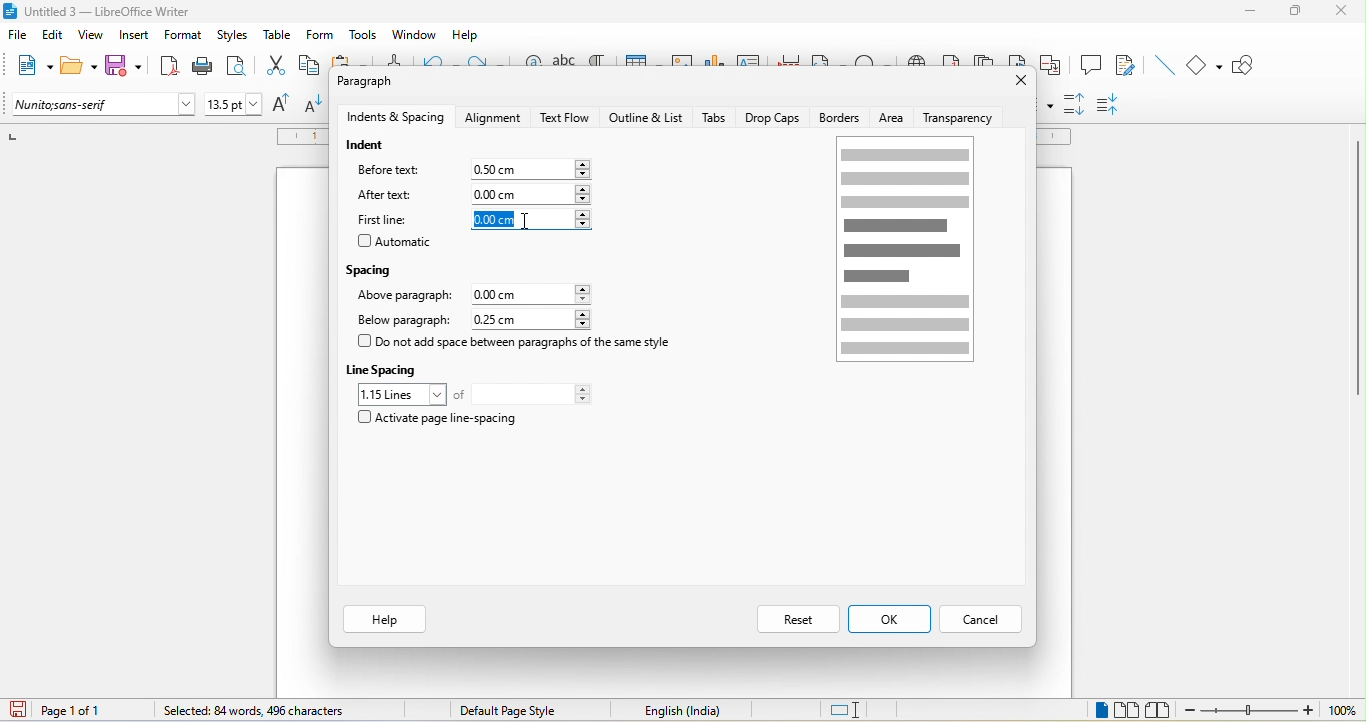 This screenshot has width=1366, height=722. What do you see at coordinates (566, 117) in the screenshot?
I see `text flow` at bounding box center [566, 117].